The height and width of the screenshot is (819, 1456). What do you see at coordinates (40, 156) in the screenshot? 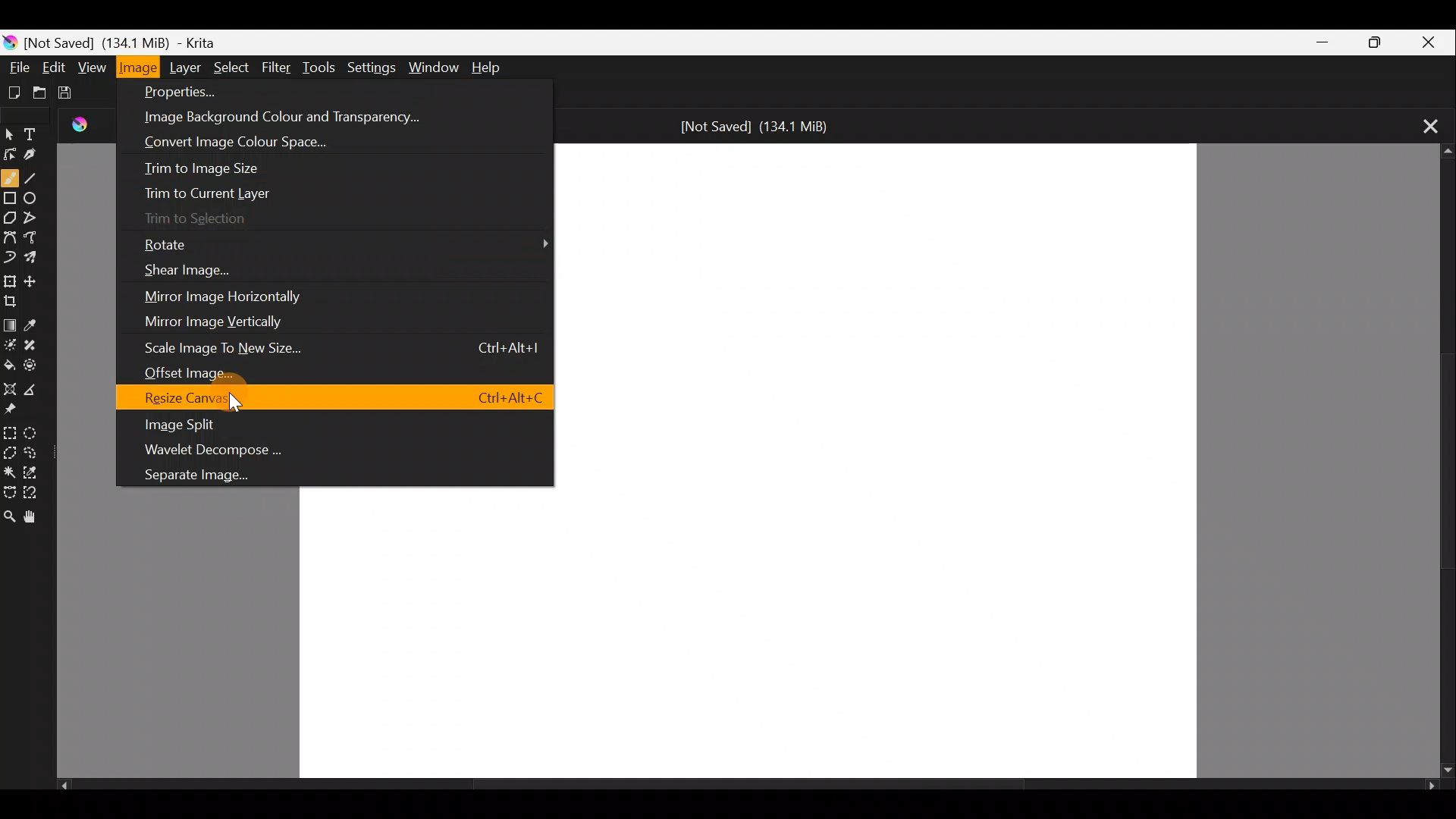
I see `Calligraphy` at bounding box center [40, 156].